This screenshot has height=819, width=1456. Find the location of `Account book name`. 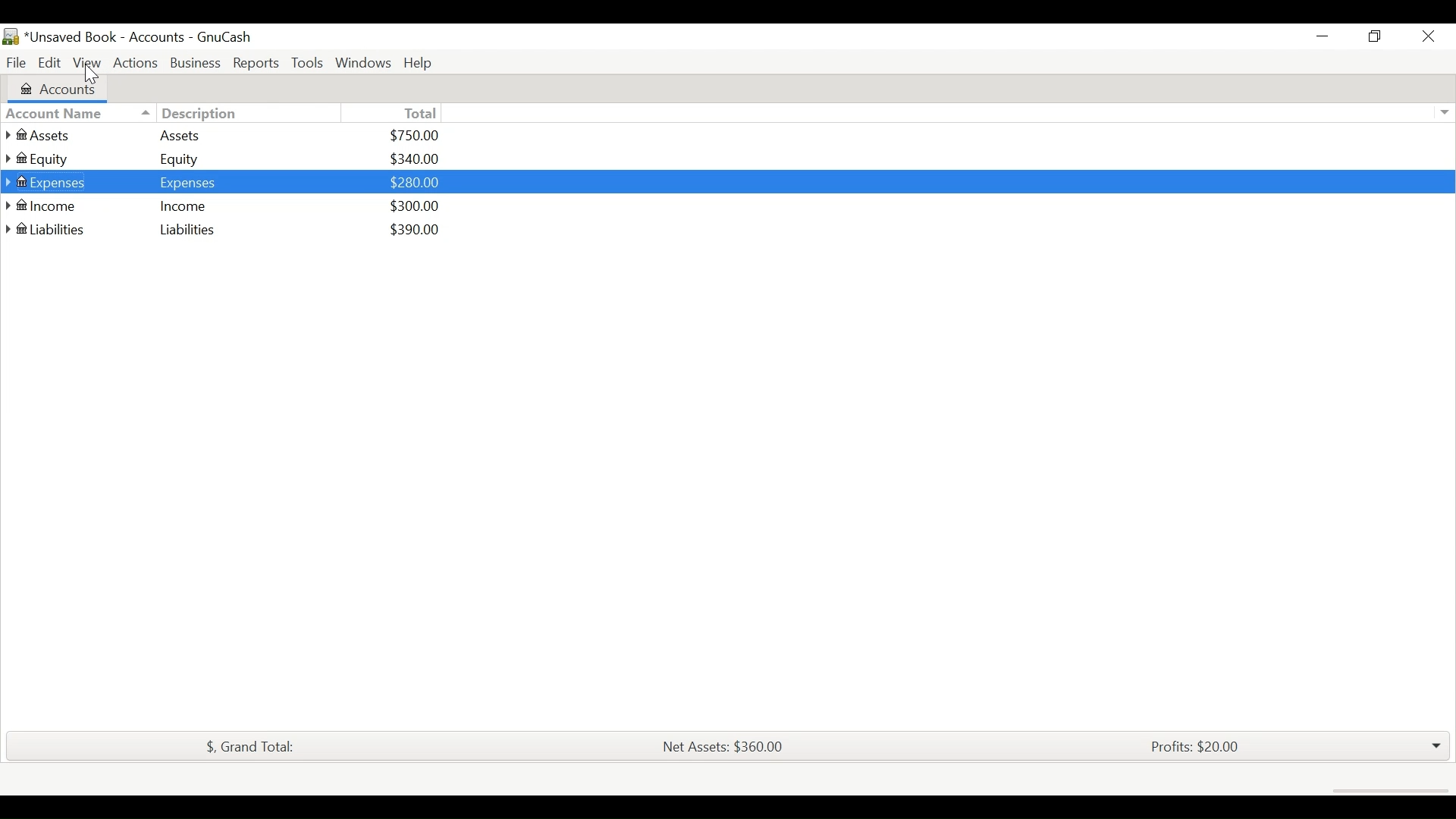

Account book name is located at coordinates (106, 37).